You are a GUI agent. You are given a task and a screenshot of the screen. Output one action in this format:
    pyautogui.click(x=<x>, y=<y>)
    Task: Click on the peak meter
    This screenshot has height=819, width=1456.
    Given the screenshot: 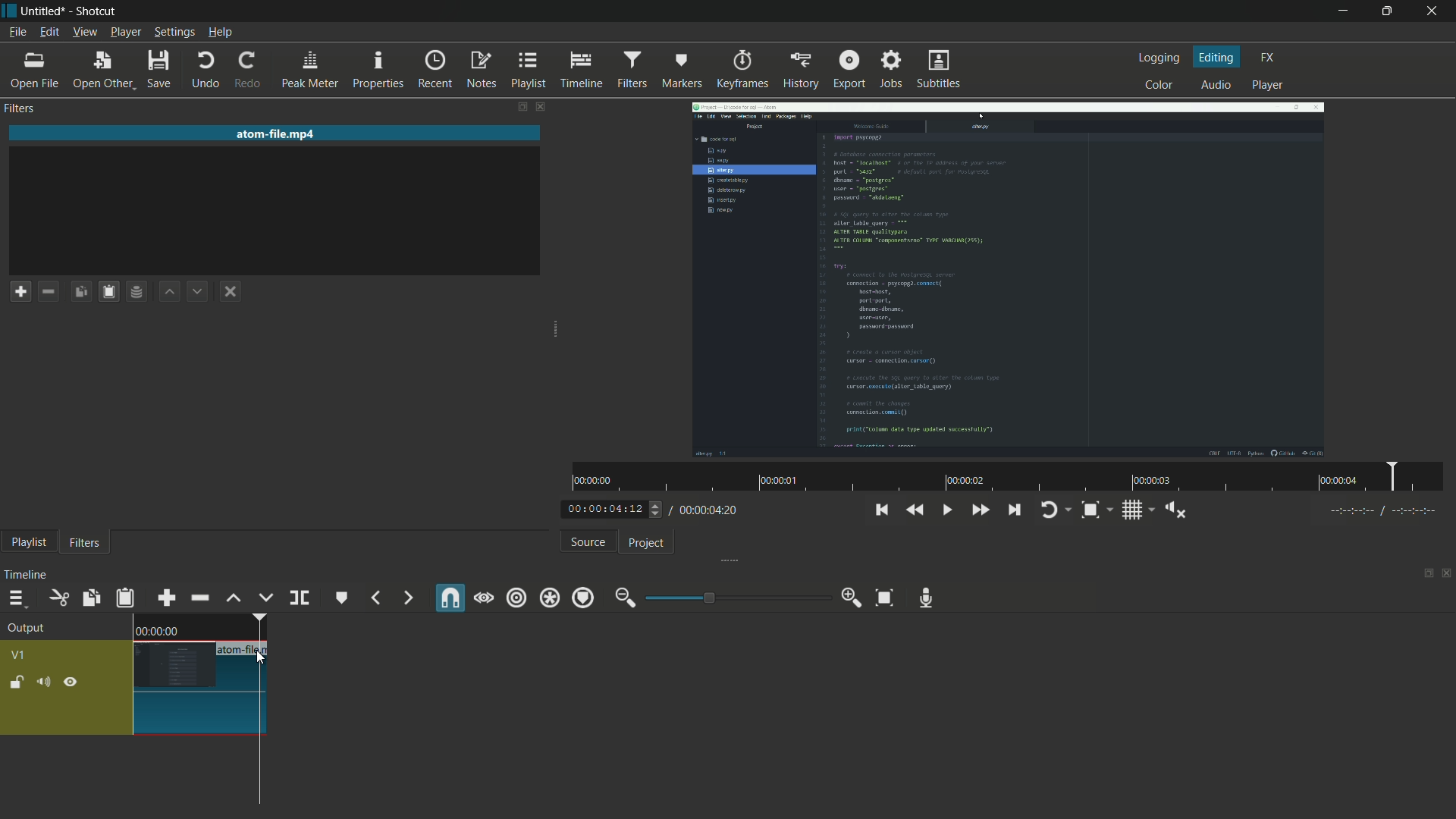 What is the action you would take?
    pyautogui.click(x=308, y=71)
    